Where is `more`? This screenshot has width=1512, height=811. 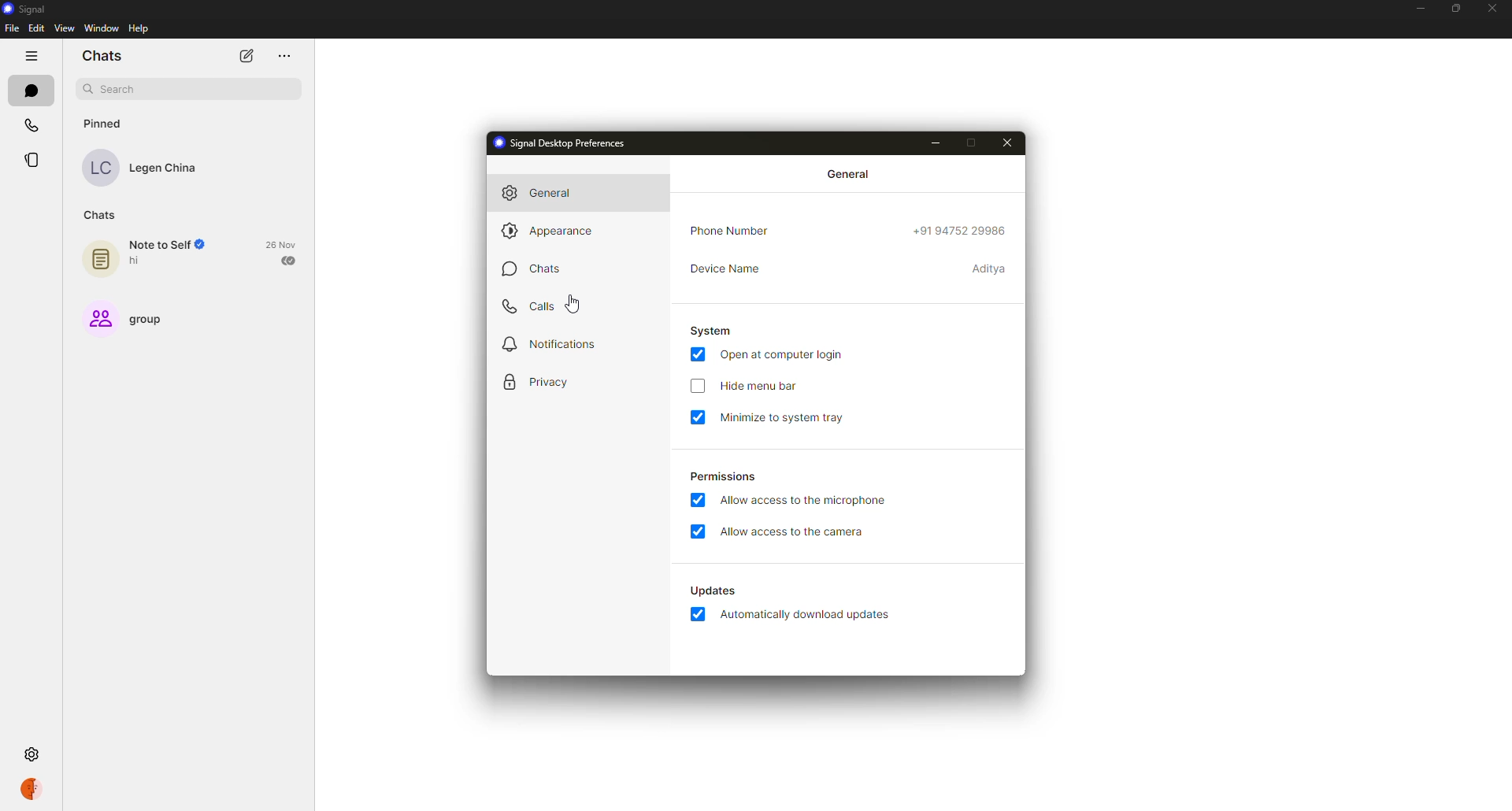
more is located at coordinates (283, 56).